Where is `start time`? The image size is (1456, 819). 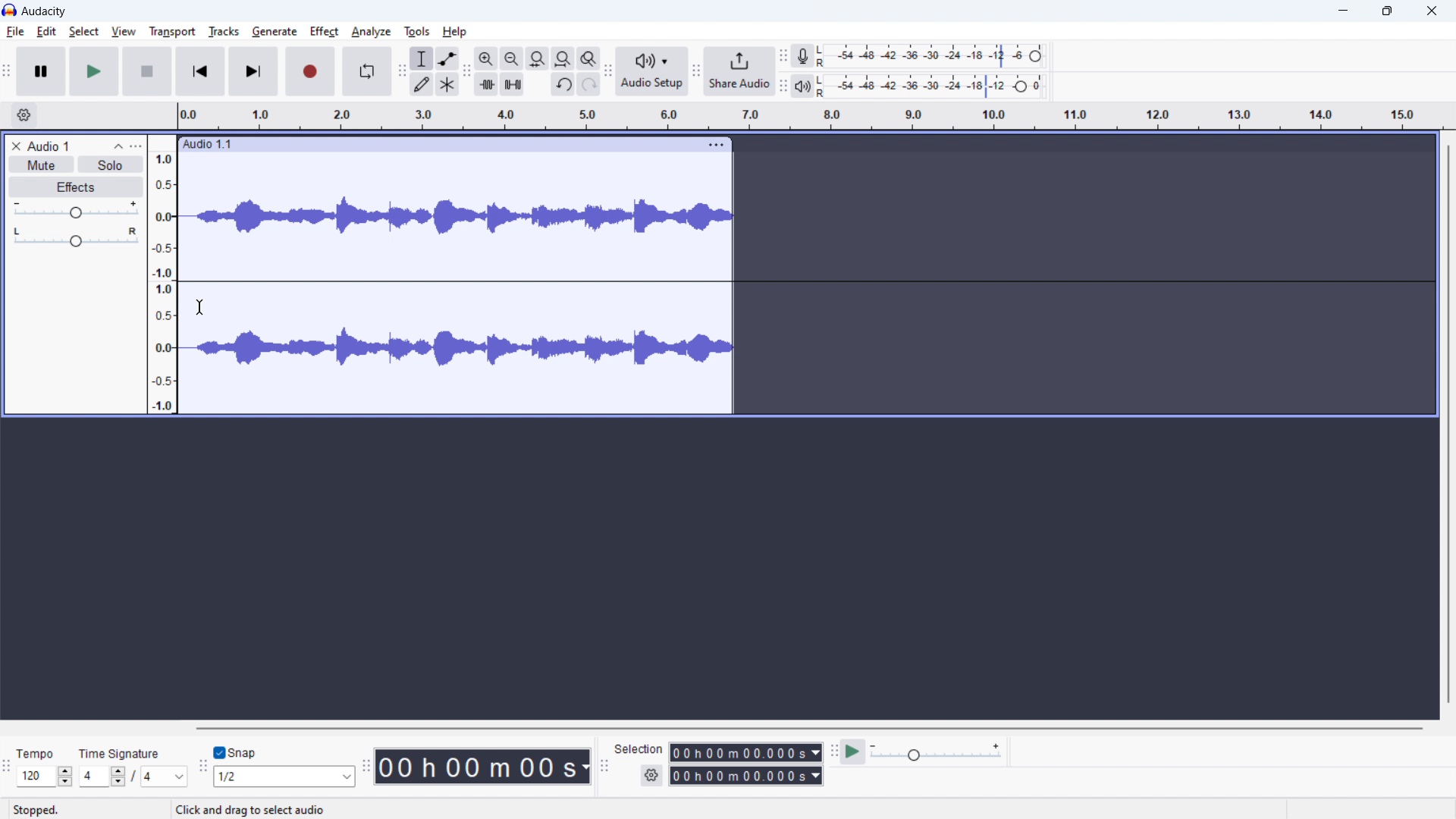
start time is located at coordinates (746, 752).